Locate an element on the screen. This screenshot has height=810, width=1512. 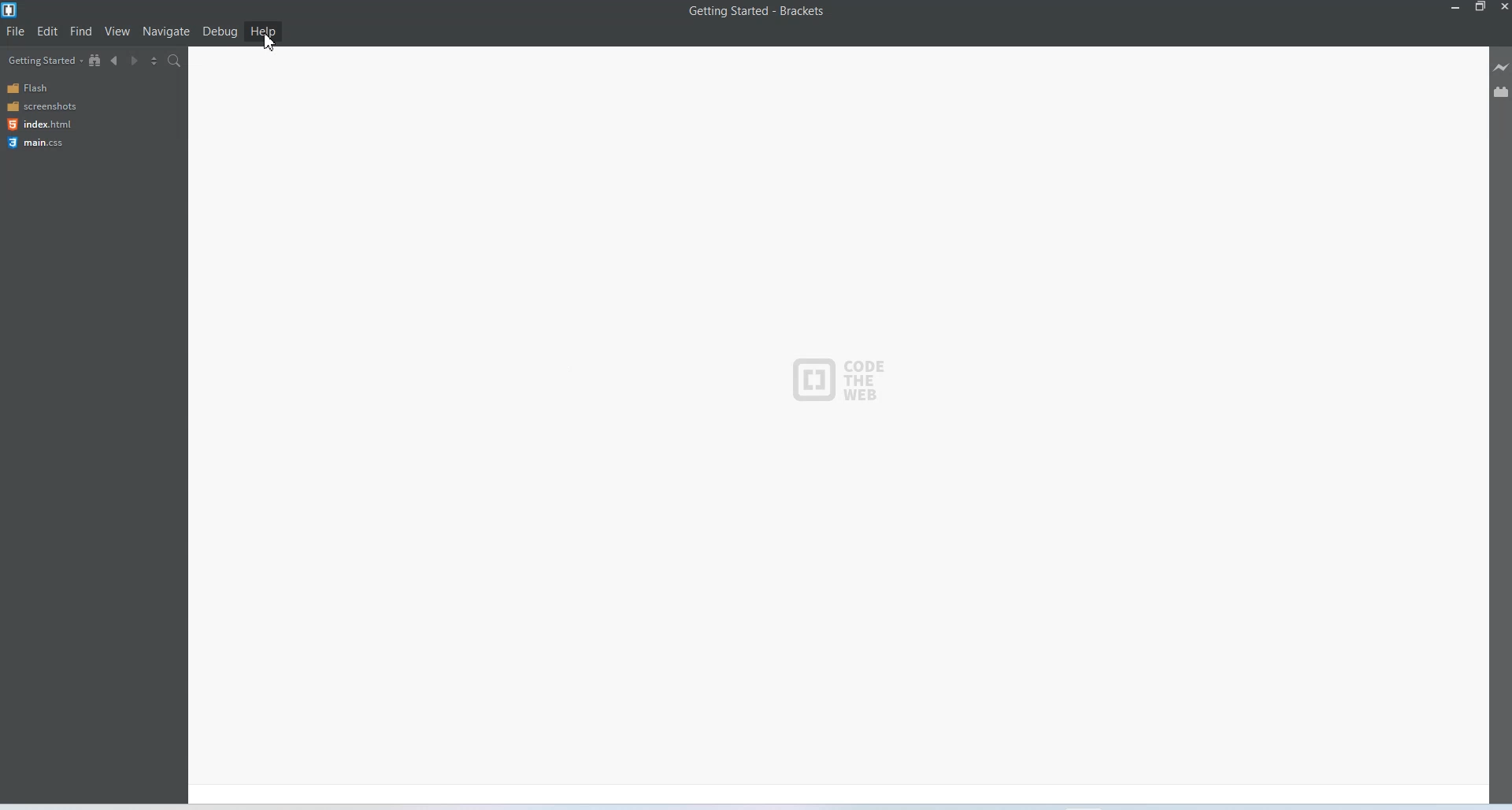
File is located at coordinates (16, 31).